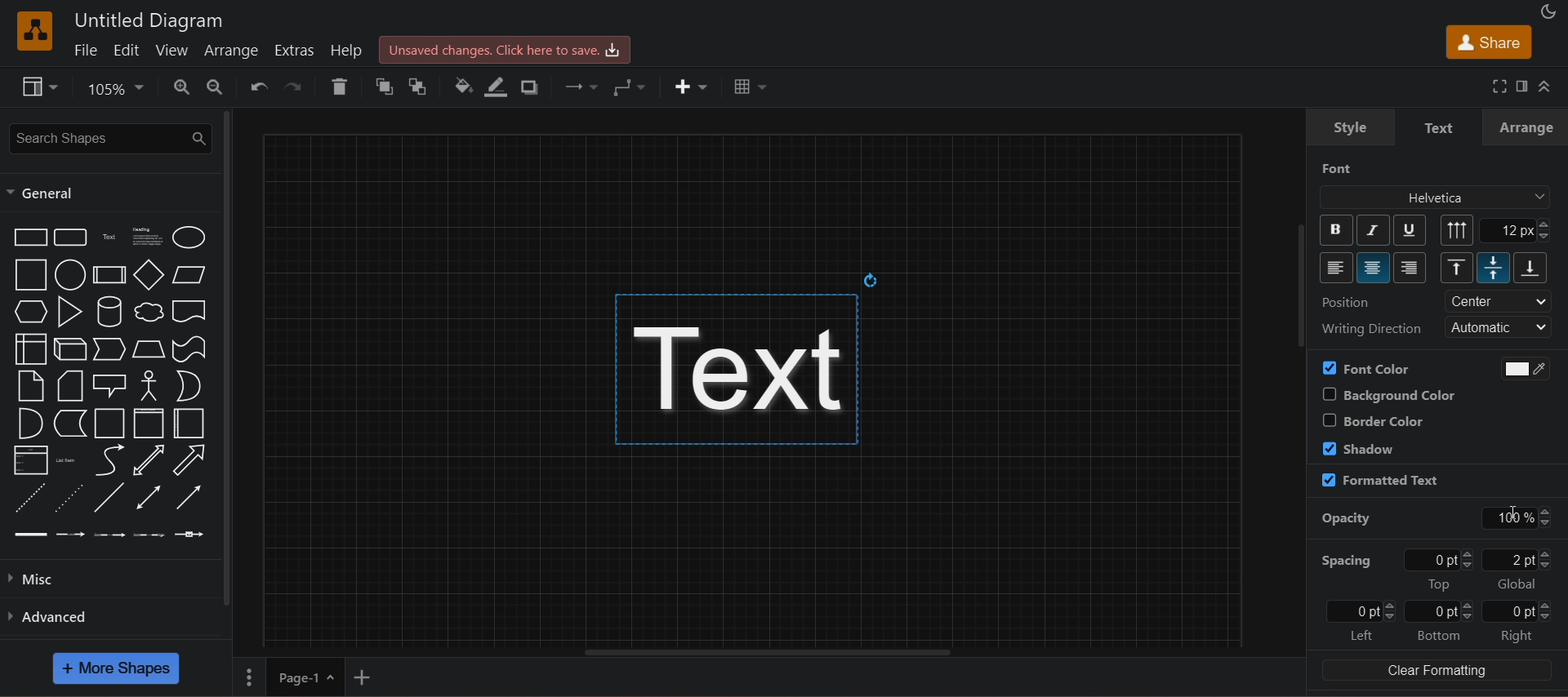 The image size is (1568, 697). I want to click on bottom, so click(1438, 635).